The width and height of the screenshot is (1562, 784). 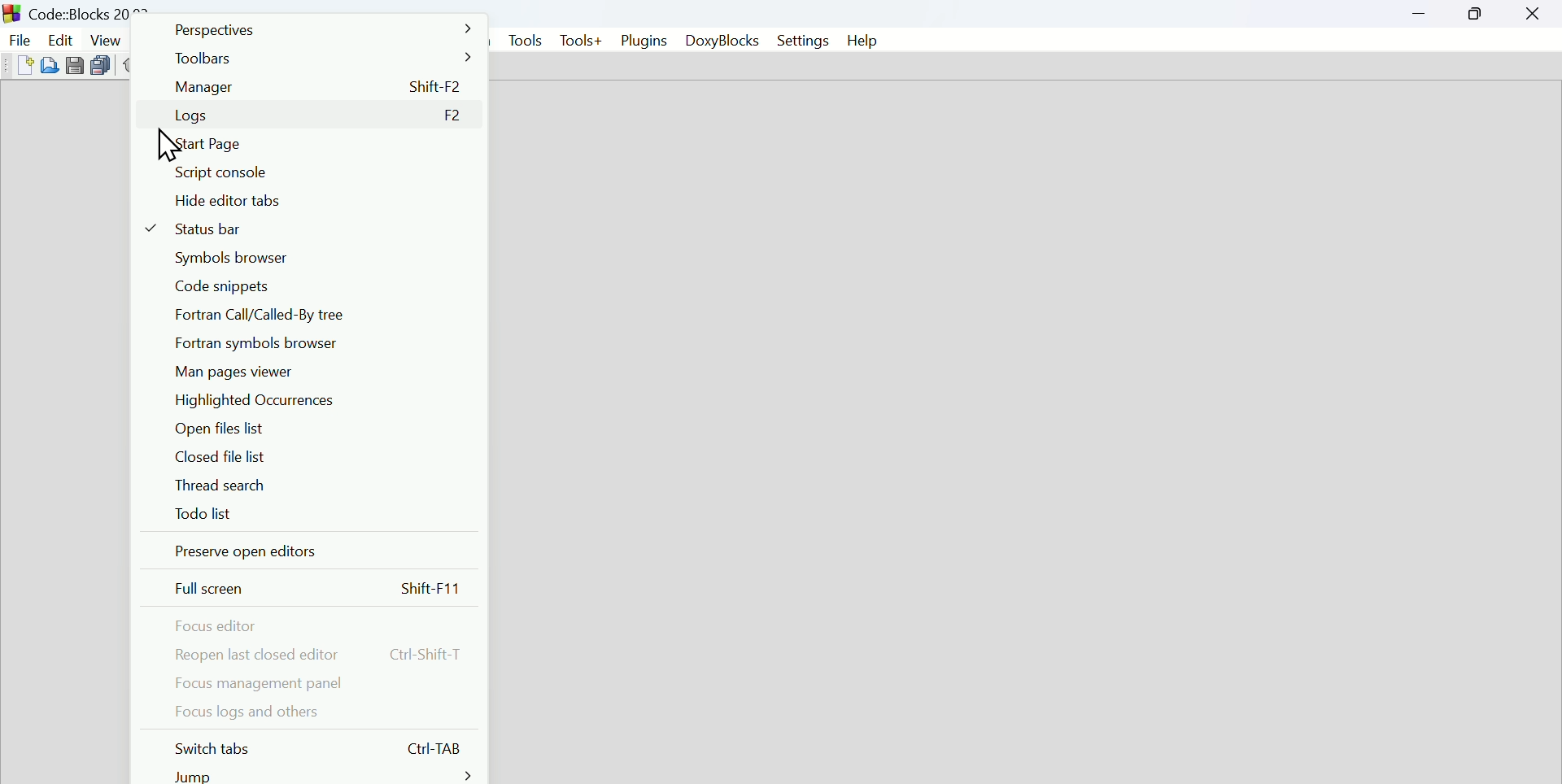 I want to click on Maximize, so click(x=1475, y=15).